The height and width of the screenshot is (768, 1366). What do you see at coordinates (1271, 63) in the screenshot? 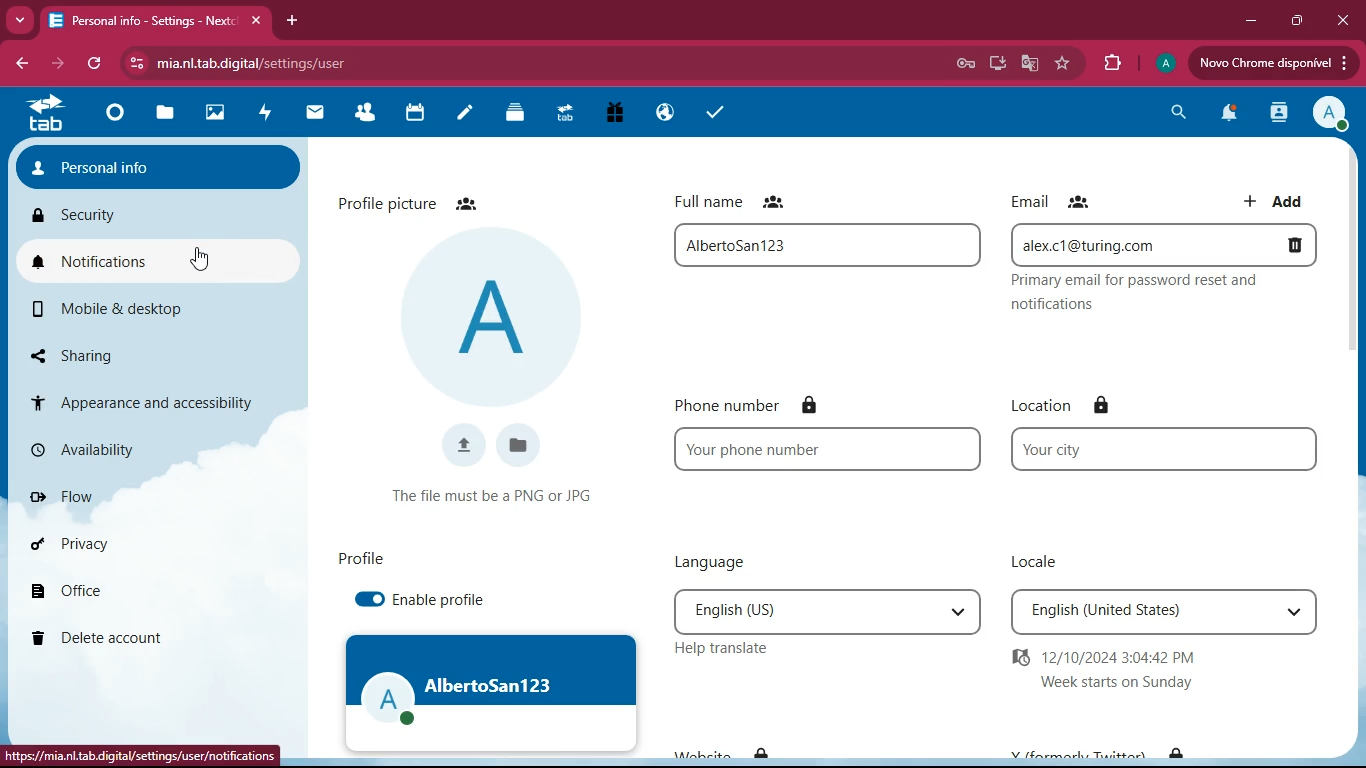
I see `update` at bounding box center [1271, 63].